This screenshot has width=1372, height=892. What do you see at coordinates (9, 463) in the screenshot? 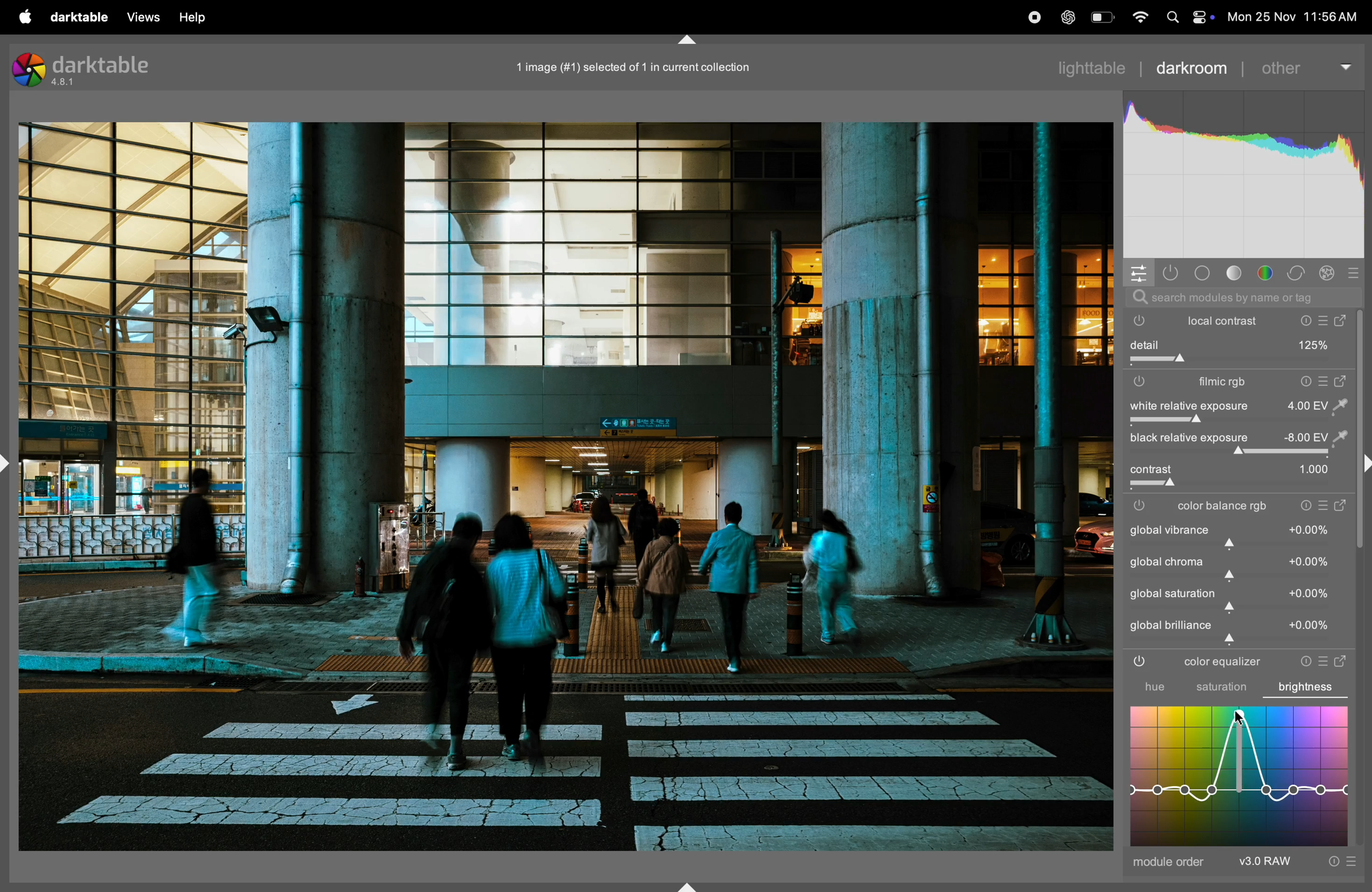
I see `Collapse or expand ` at bounding box center [9, 463].